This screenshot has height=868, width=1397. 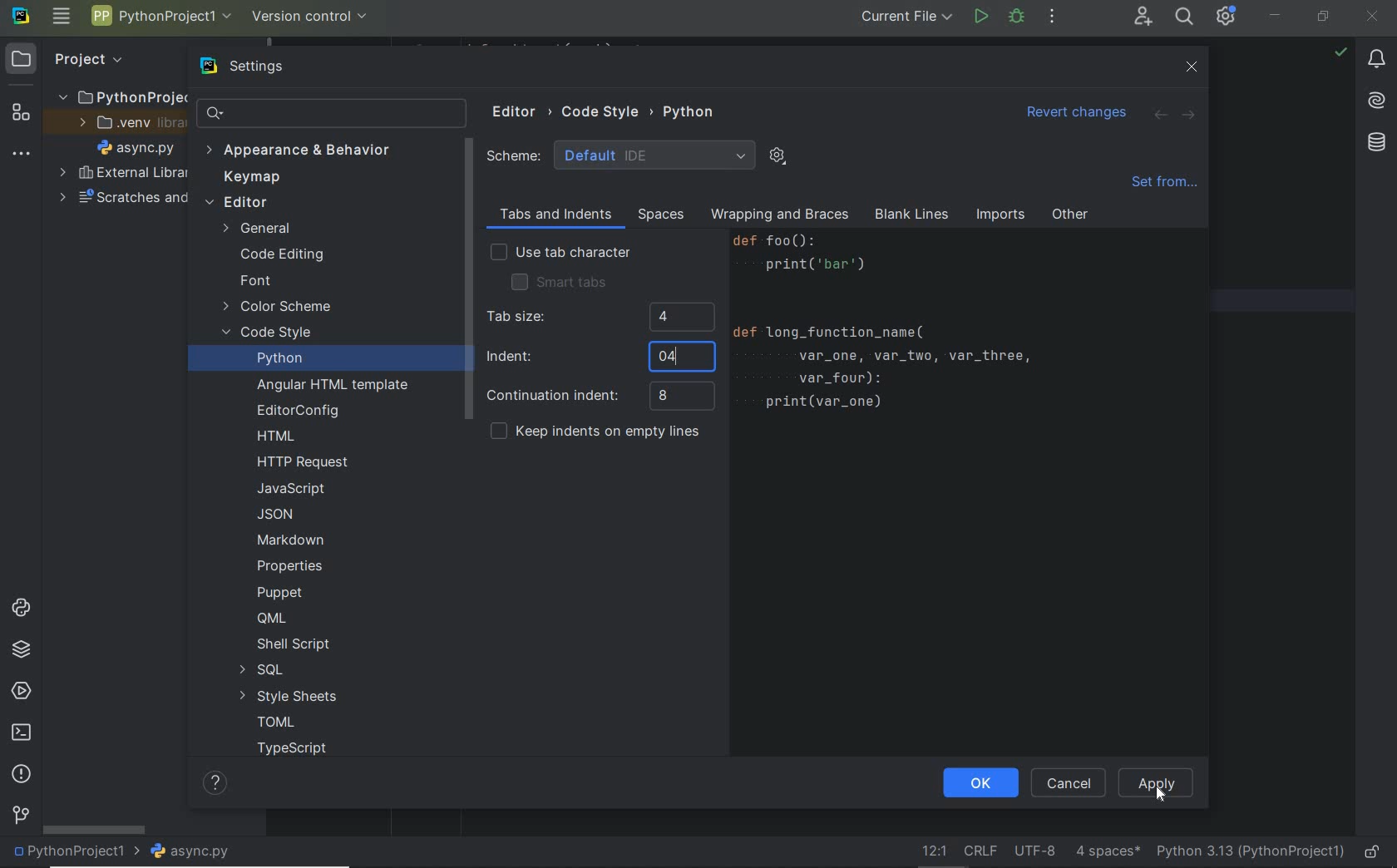 I want to click on more tool windows, so click(x=21, y=155).